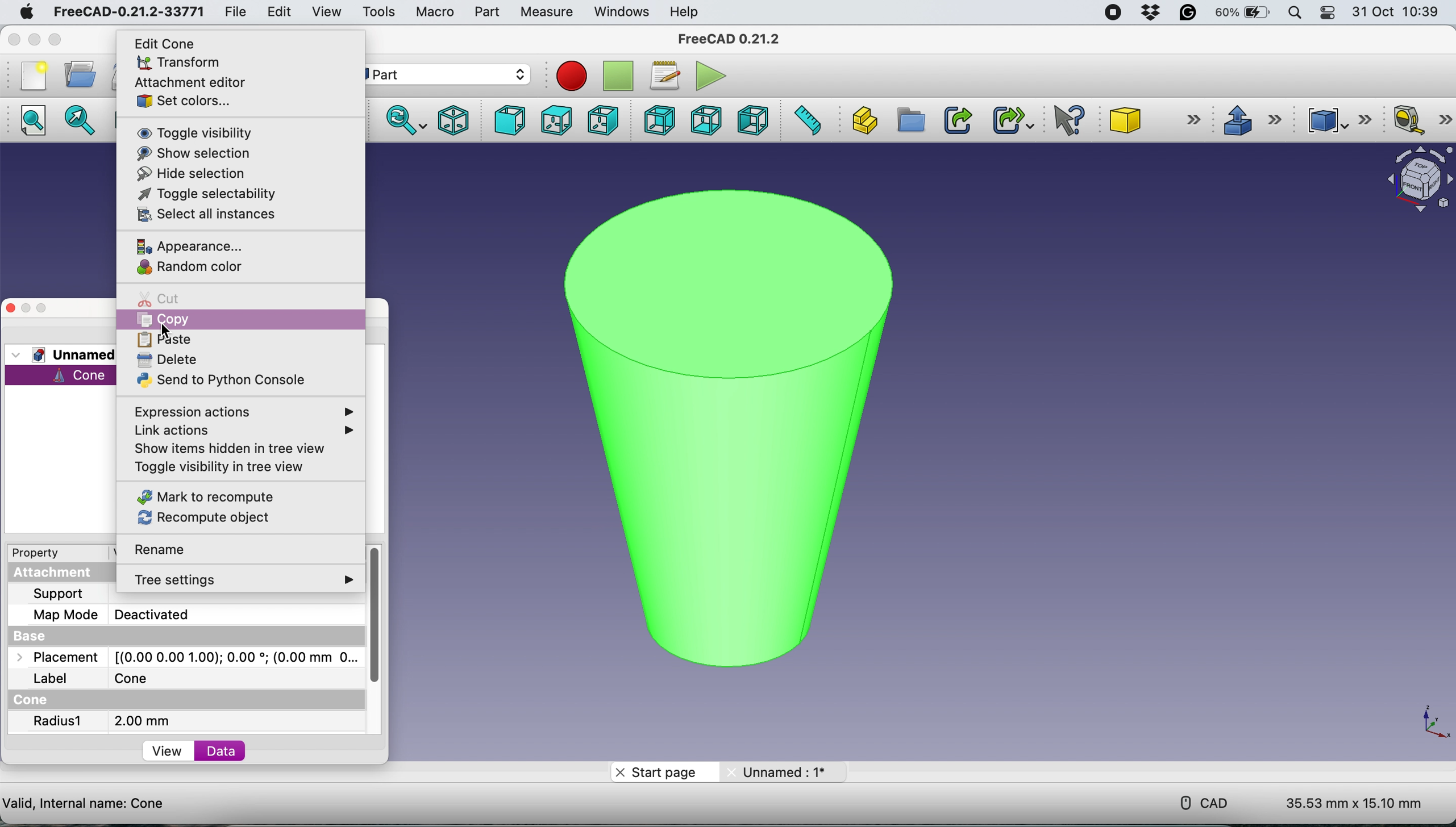  I want to click on close, so click(11, 307).